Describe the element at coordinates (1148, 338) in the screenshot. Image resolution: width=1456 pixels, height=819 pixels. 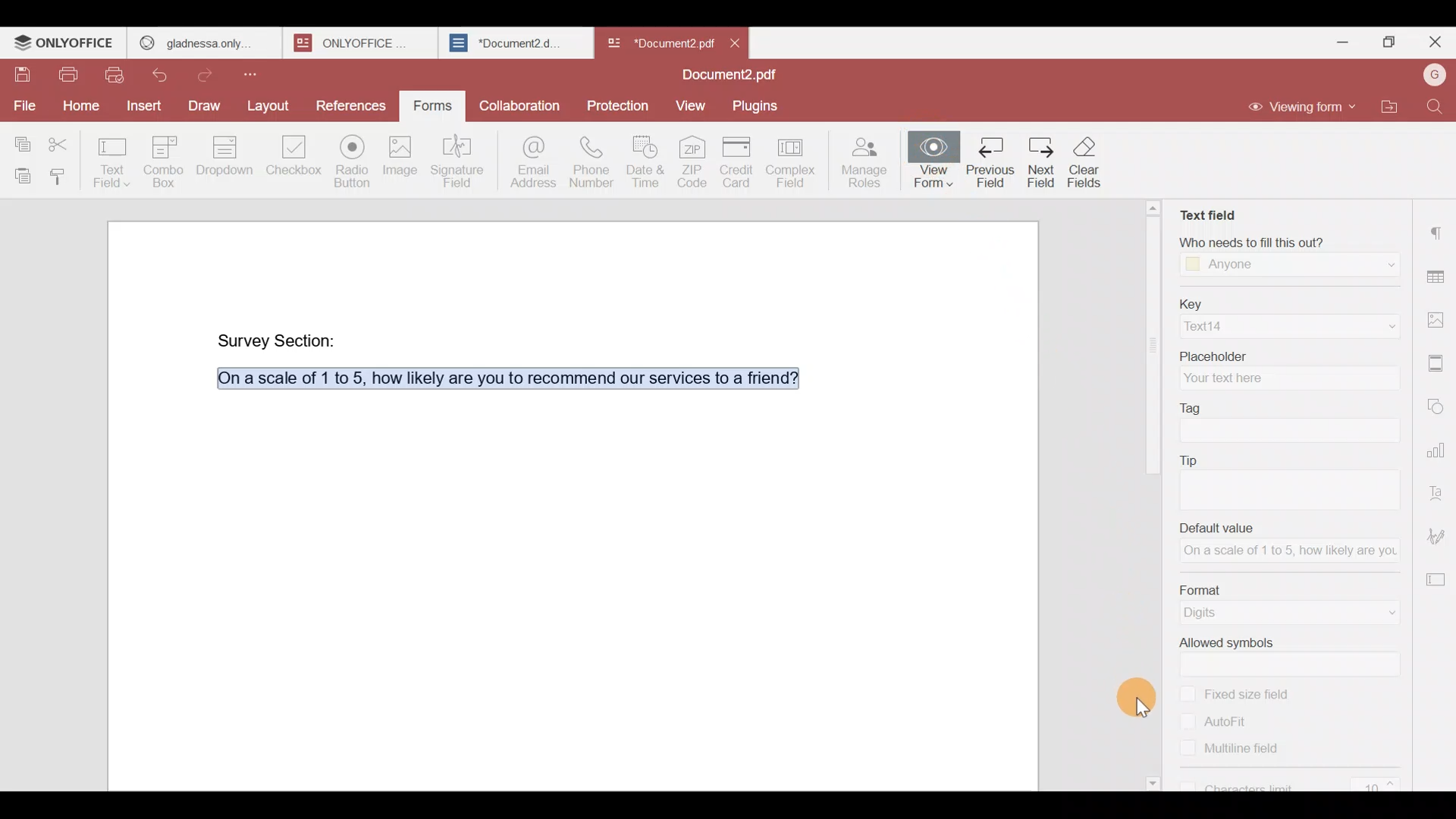
I see `scroll bar` at that location.